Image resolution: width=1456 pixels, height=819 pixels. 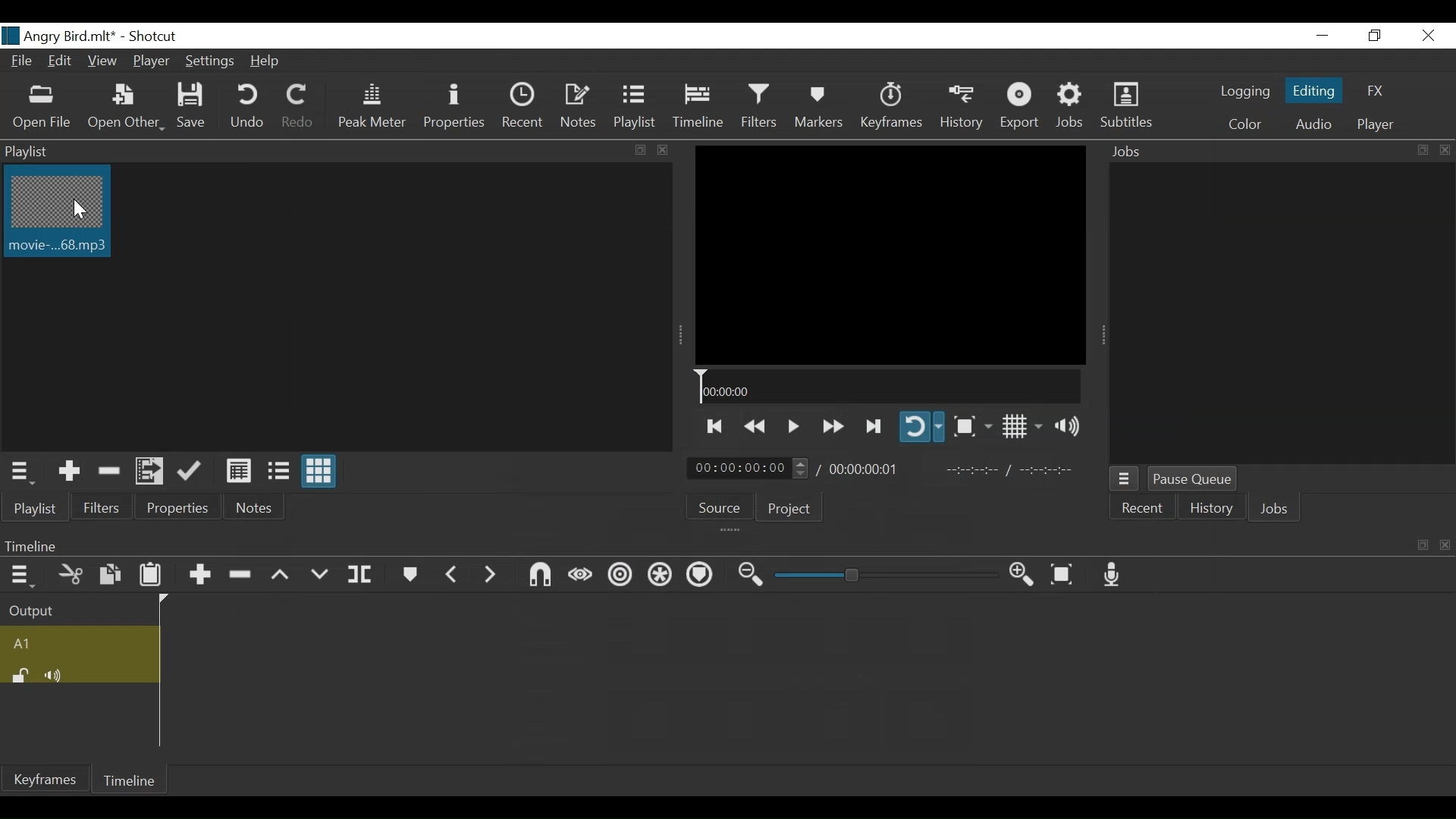 I want to click on In point, so click(x=1009, y=472).